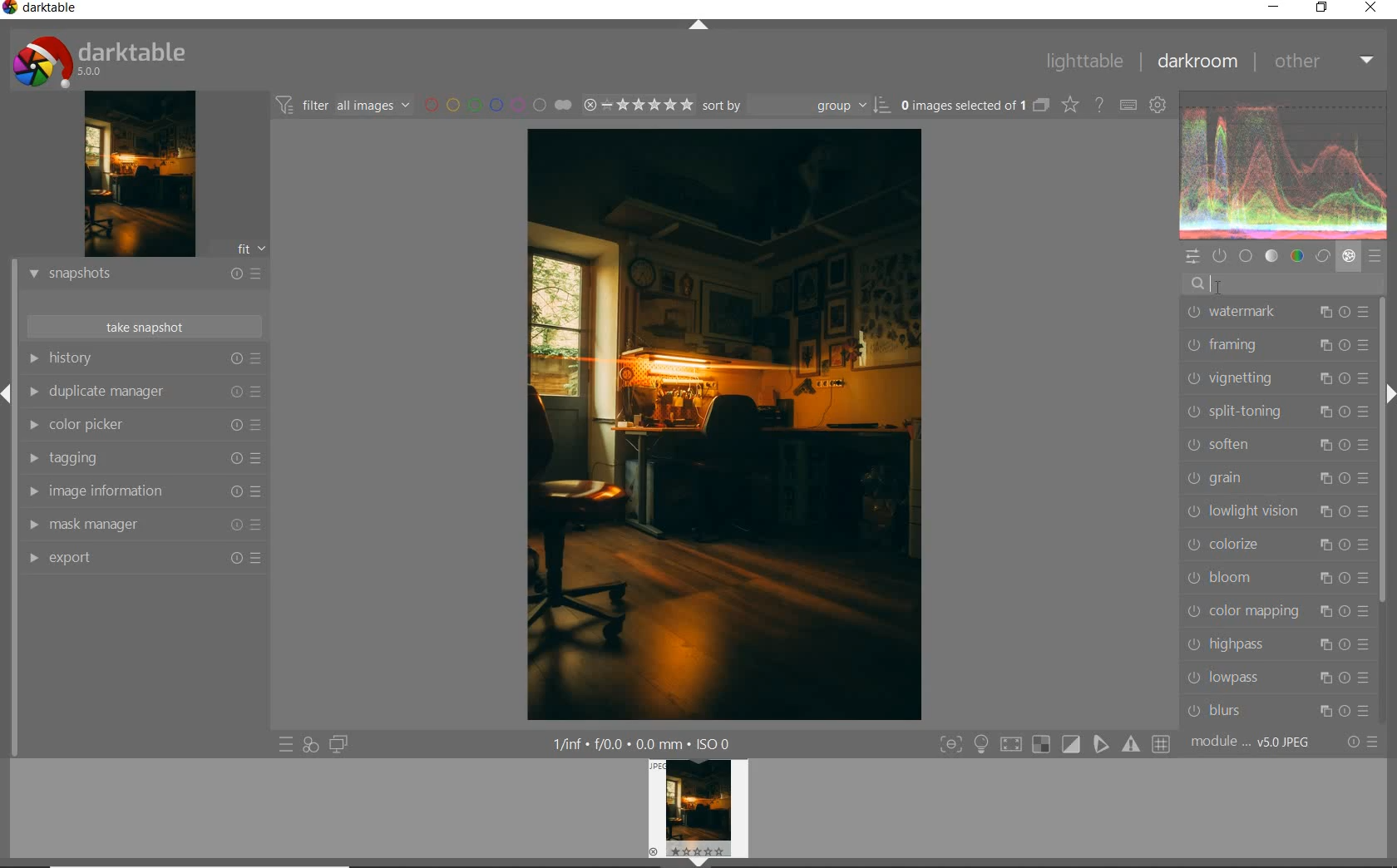 This screenshot has width=1397, height=868. What do you see at coordinates (1299, 254) in the screenshot?
I see `color` at bounding box center [1299, 254].